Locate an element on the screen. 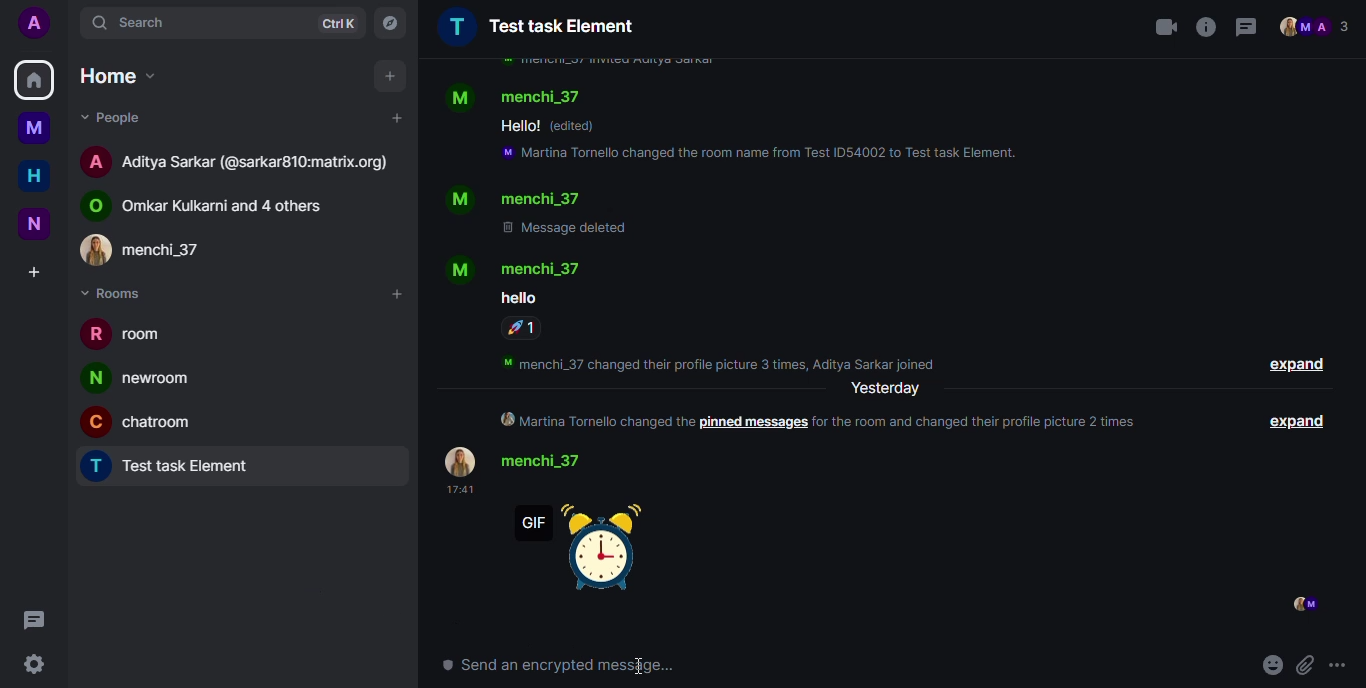  info- menchi-37 changed their profile picture. is located at coordinates (727, 361).